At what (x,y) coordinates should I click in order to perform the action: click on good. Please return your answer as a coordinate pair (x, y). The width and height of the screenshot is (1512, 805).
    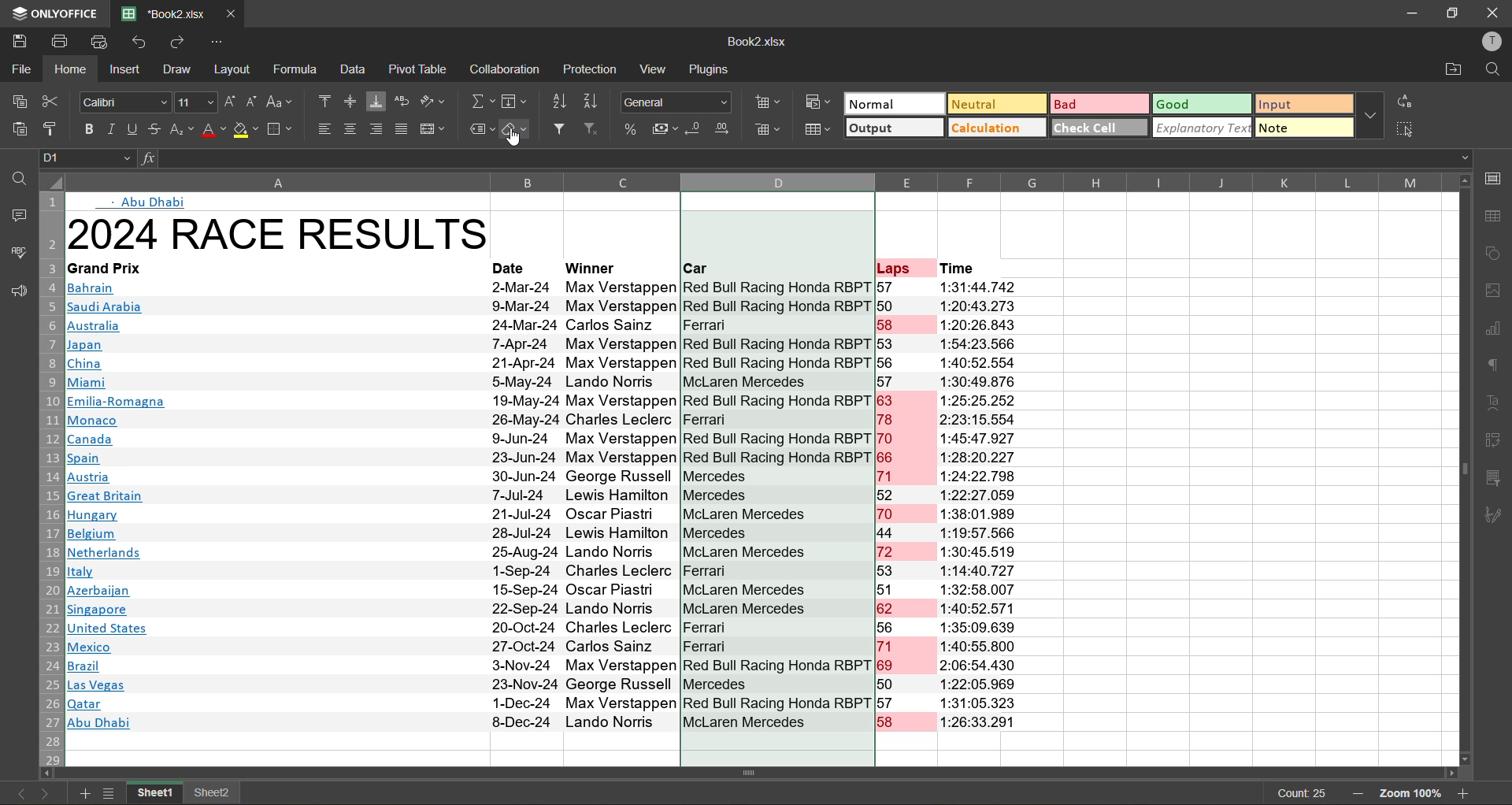
    Looking at the image, I should click on (1200, 105).